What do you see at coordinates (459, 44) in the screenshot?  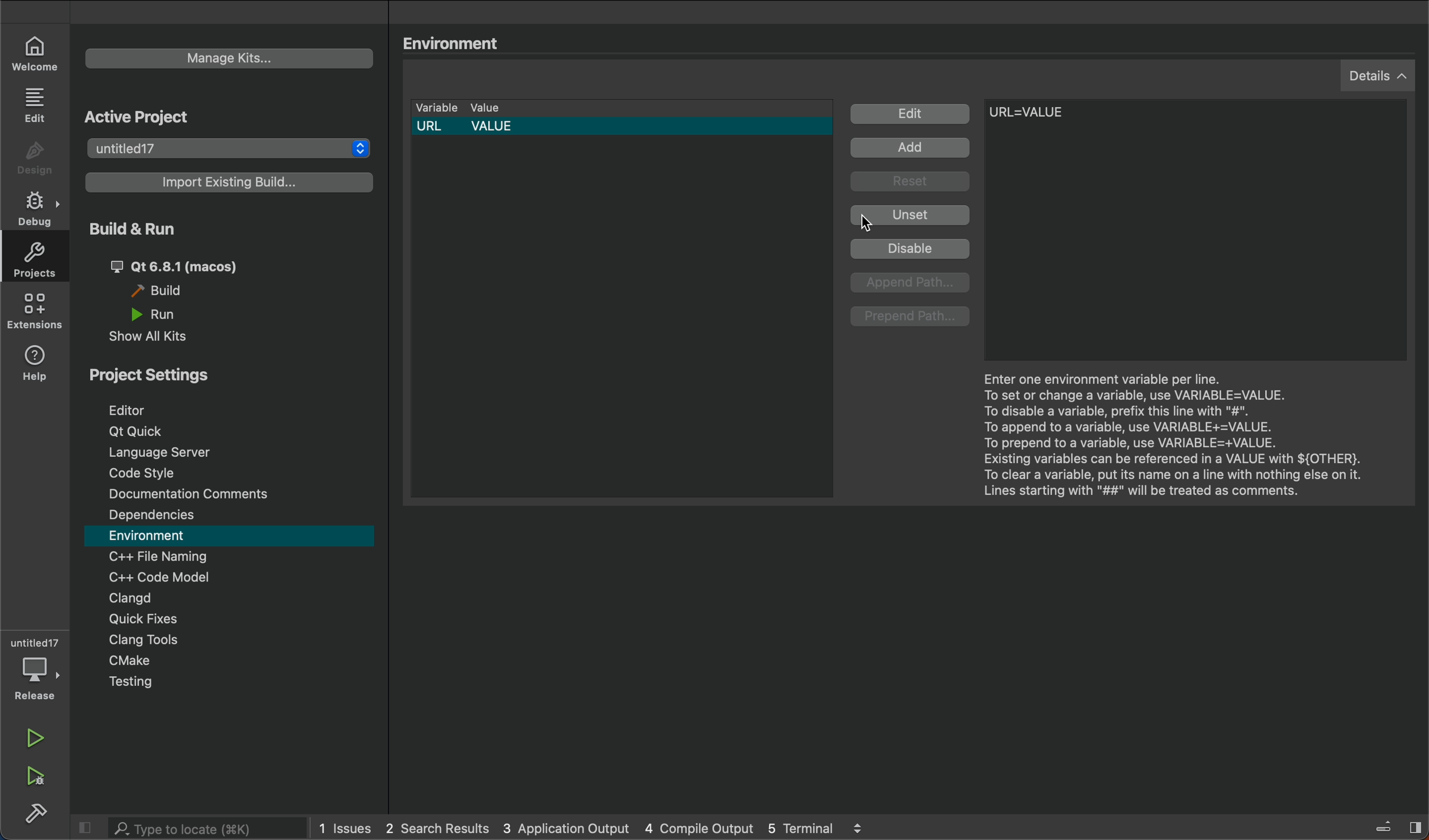 I see `environment` at bounding box center [459, 44].